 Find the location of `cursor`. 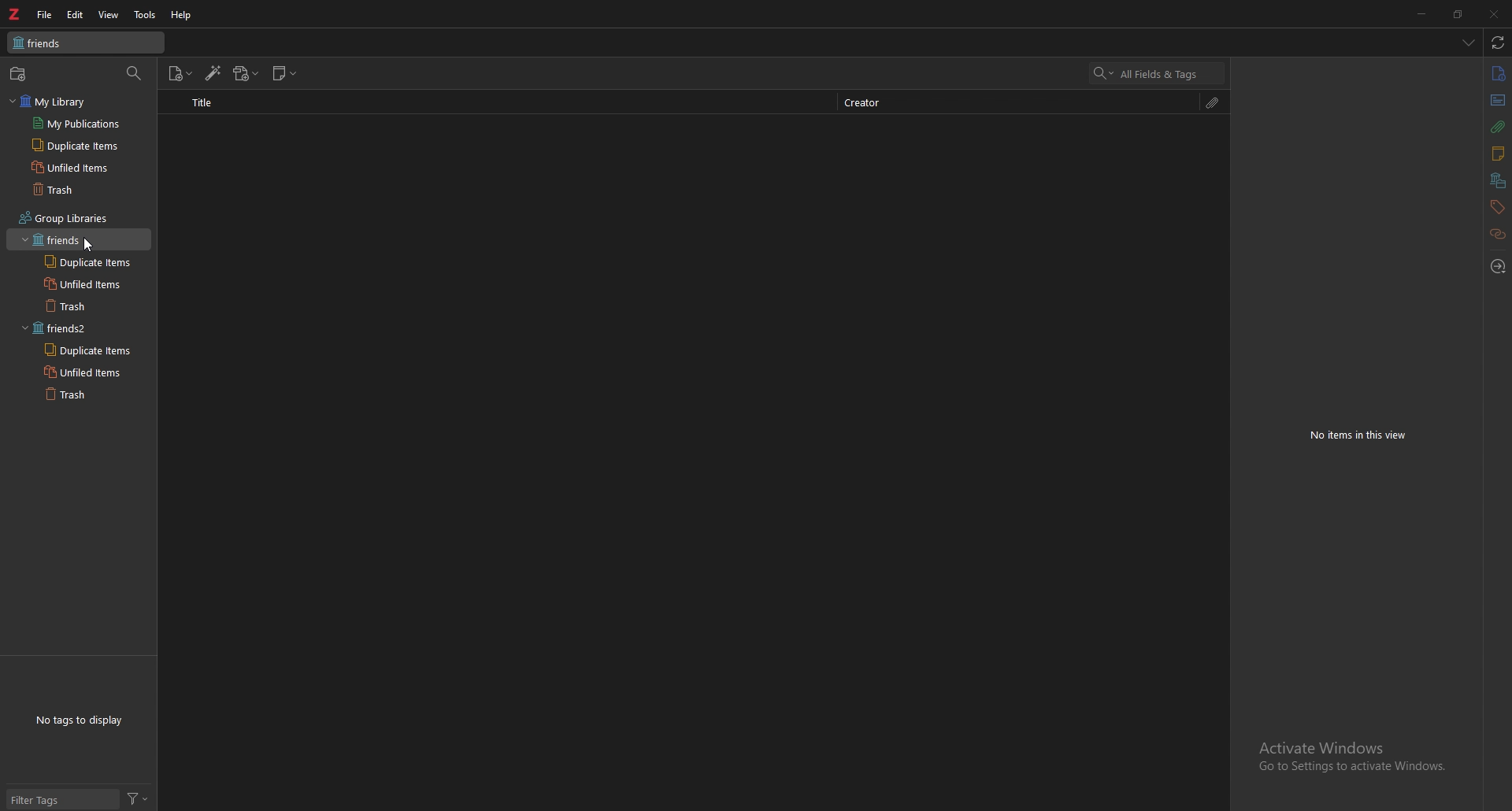

cursor is located at coordinates (94, 244).